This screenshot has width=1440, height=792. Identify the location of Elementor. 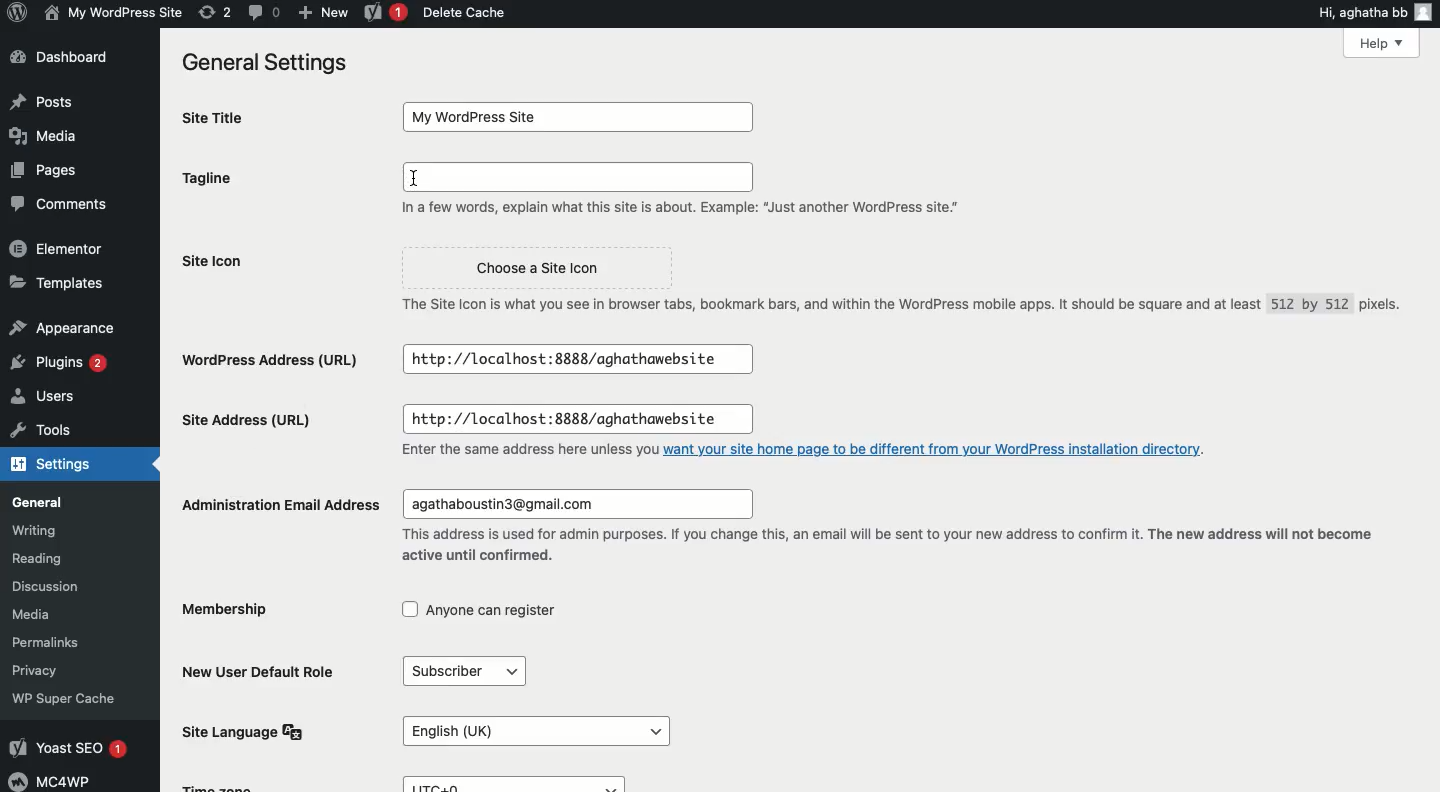
(62, 246).